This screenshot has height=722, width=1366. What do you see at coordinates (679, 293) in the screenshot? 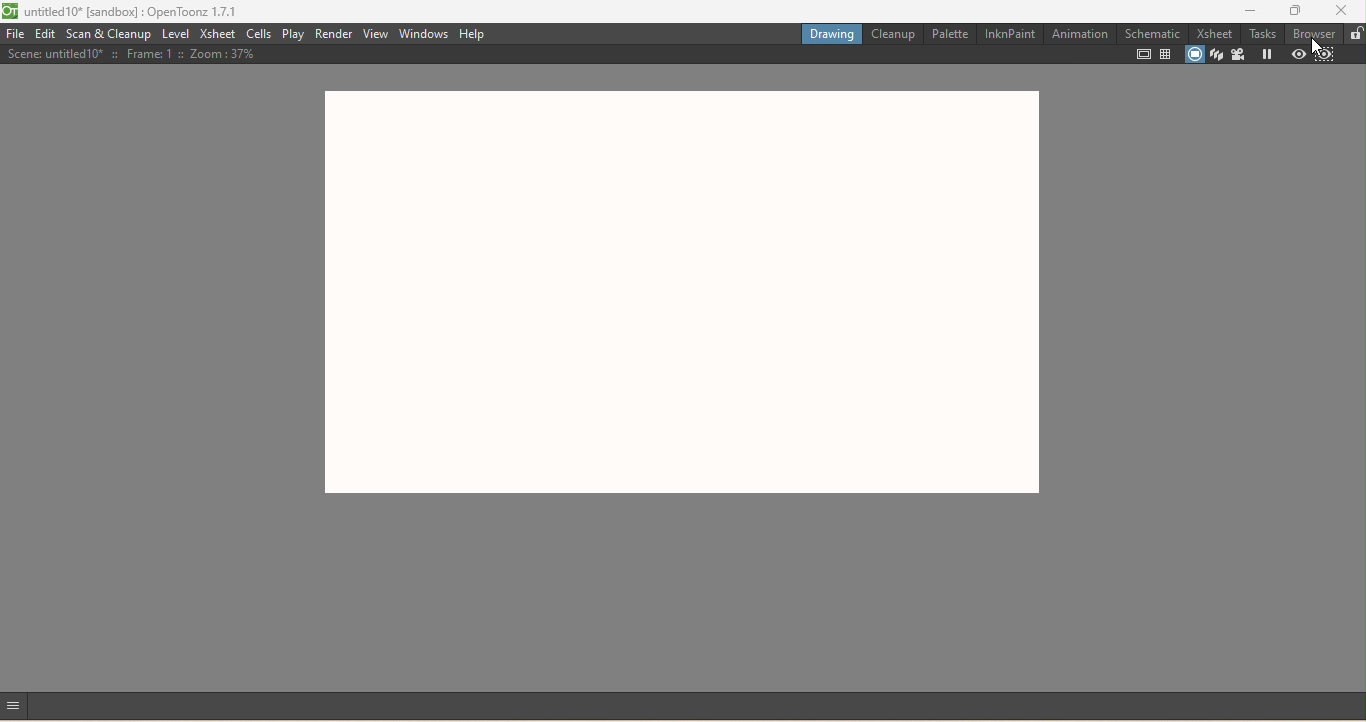
I see `Canvas` at bounding box center [679, 293].